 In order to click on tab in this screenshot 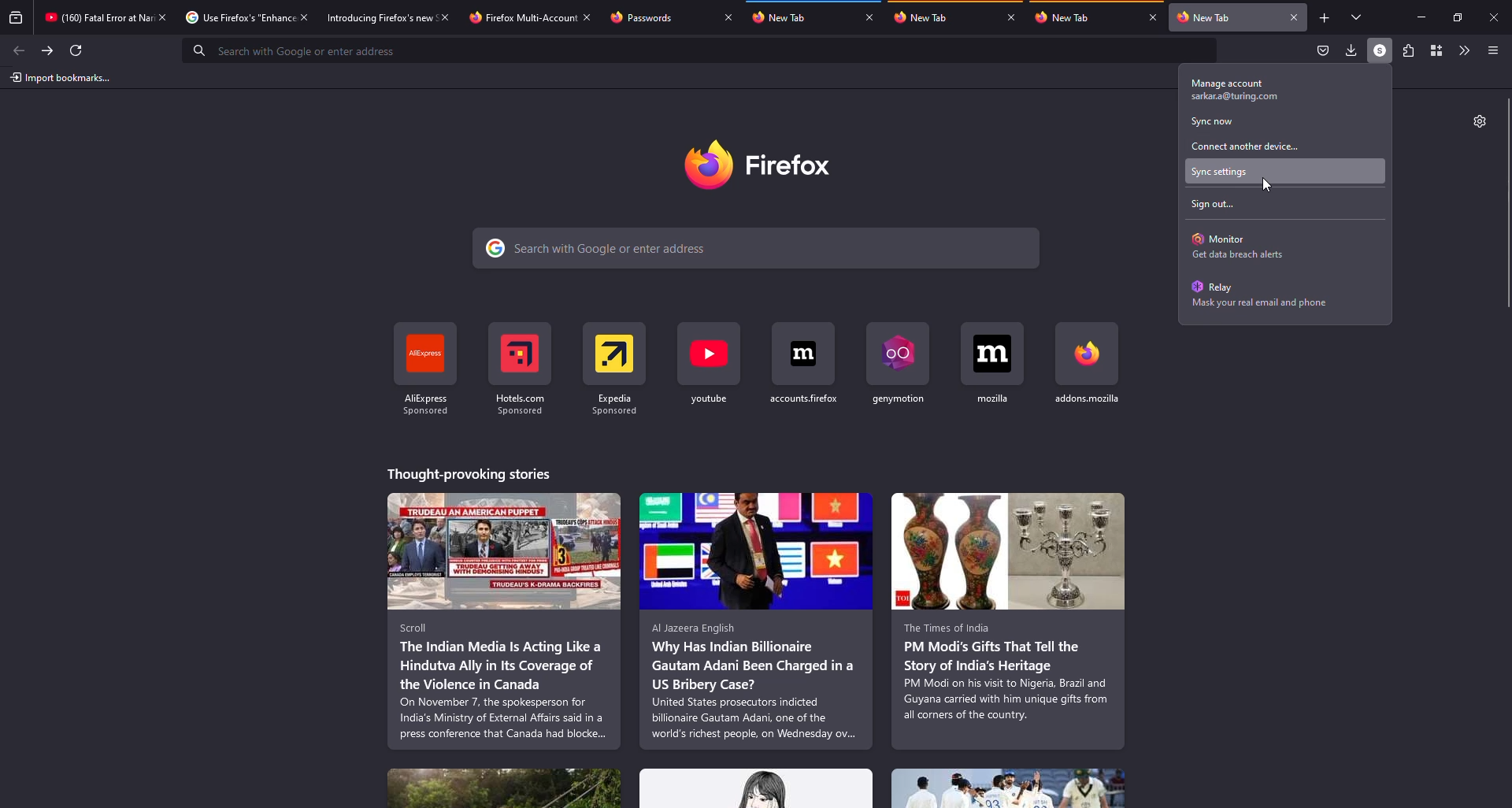, I will do `click(923, 17)`.